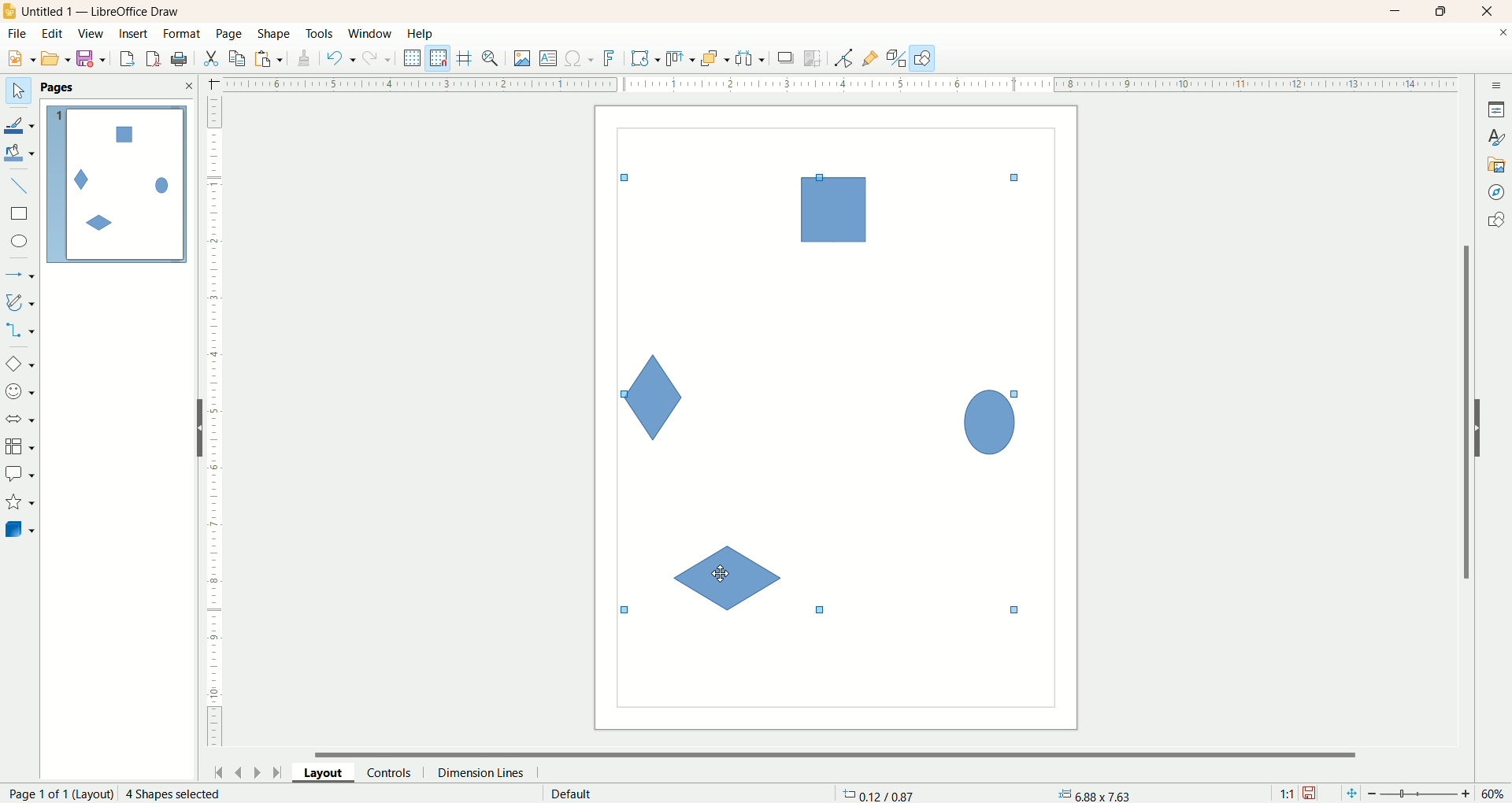  I want to click on Pages, so click(61, 88).